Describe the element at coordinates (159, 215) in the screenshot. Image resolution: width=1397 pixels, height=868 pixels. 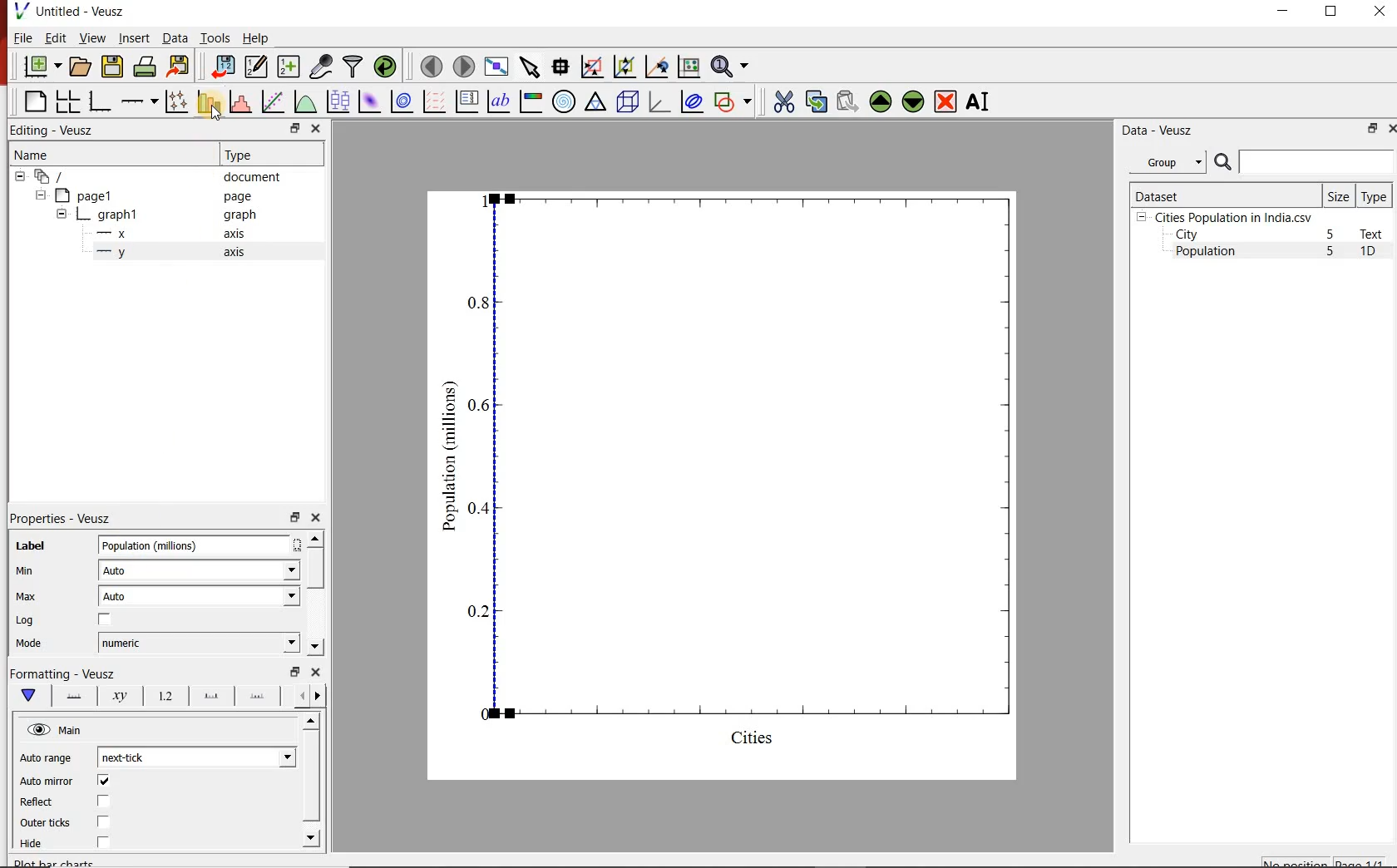
I see `graph1` at that location.